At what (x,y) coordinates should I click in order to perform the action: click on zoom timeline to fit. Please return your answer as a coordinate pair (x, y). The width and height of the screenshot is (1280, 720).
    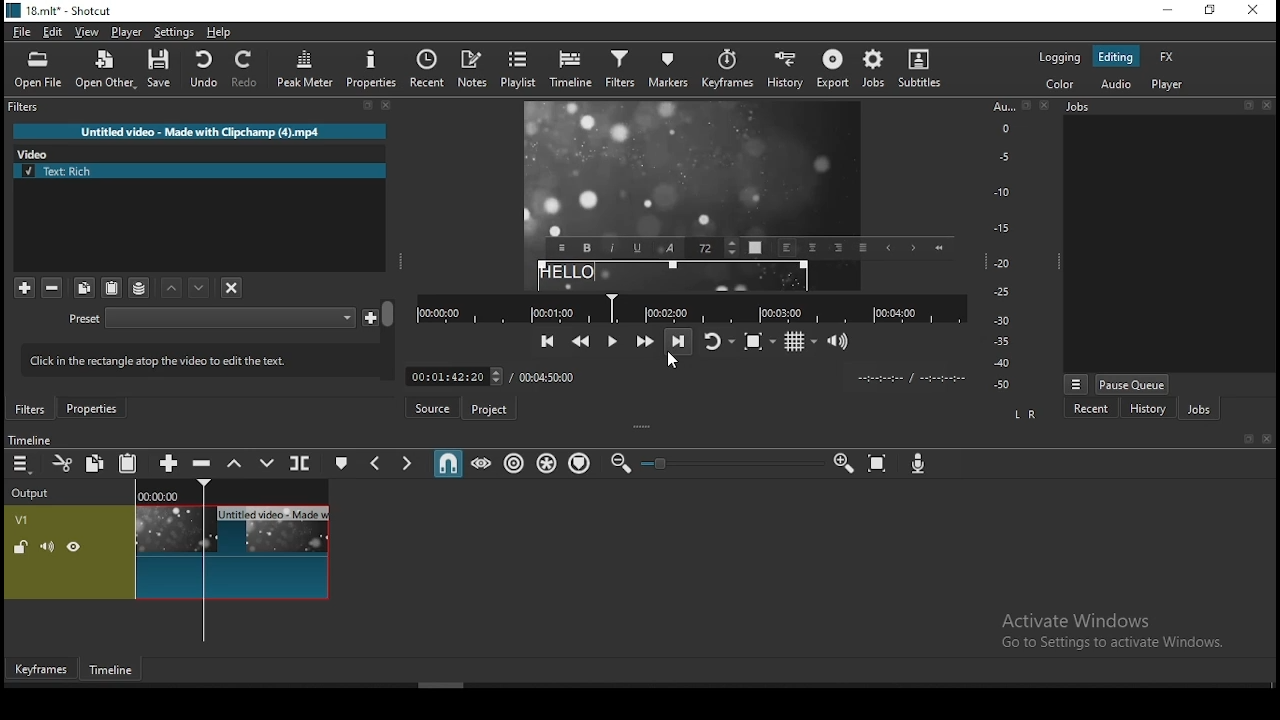
    Looking at the image, I should click on (878, 463).